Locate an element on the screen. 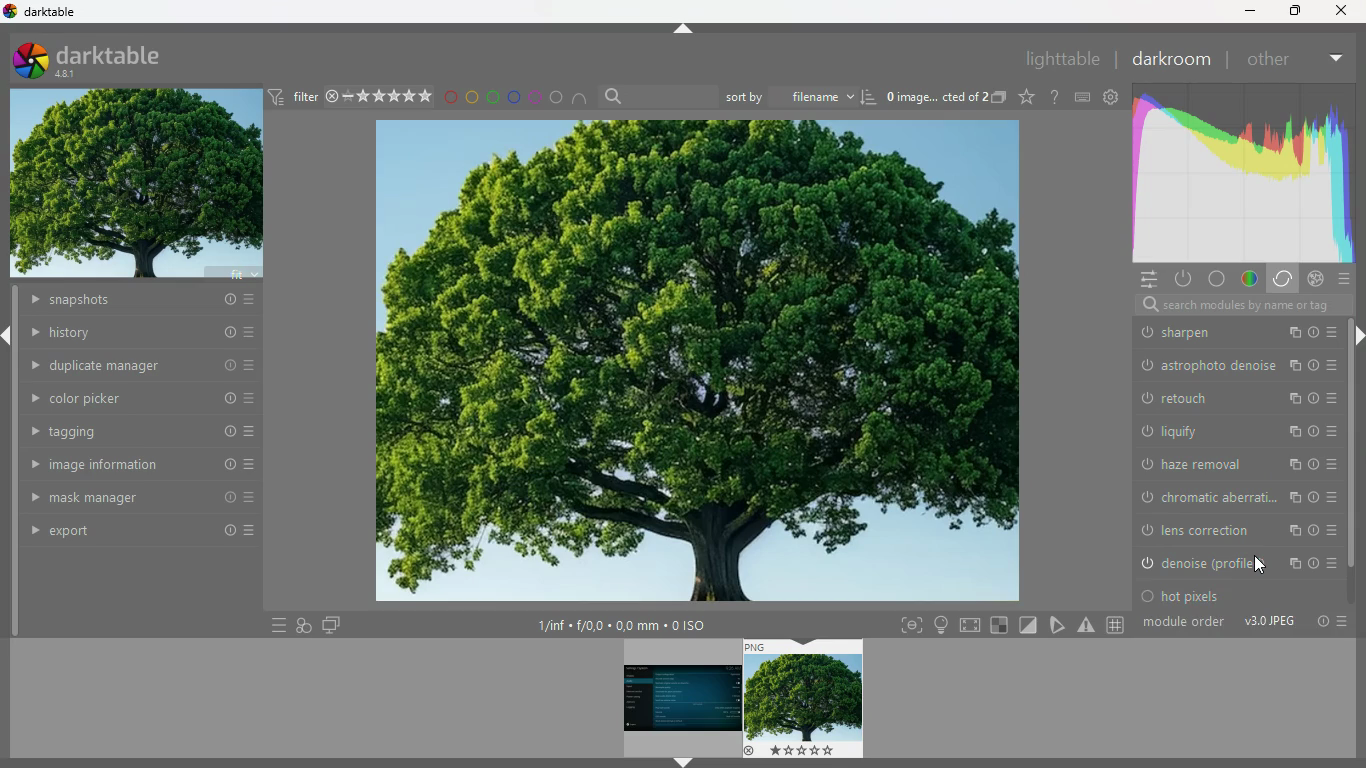 This screenshot has height=768, width=1366. global vibrance is located at coordinates (1237, 560).